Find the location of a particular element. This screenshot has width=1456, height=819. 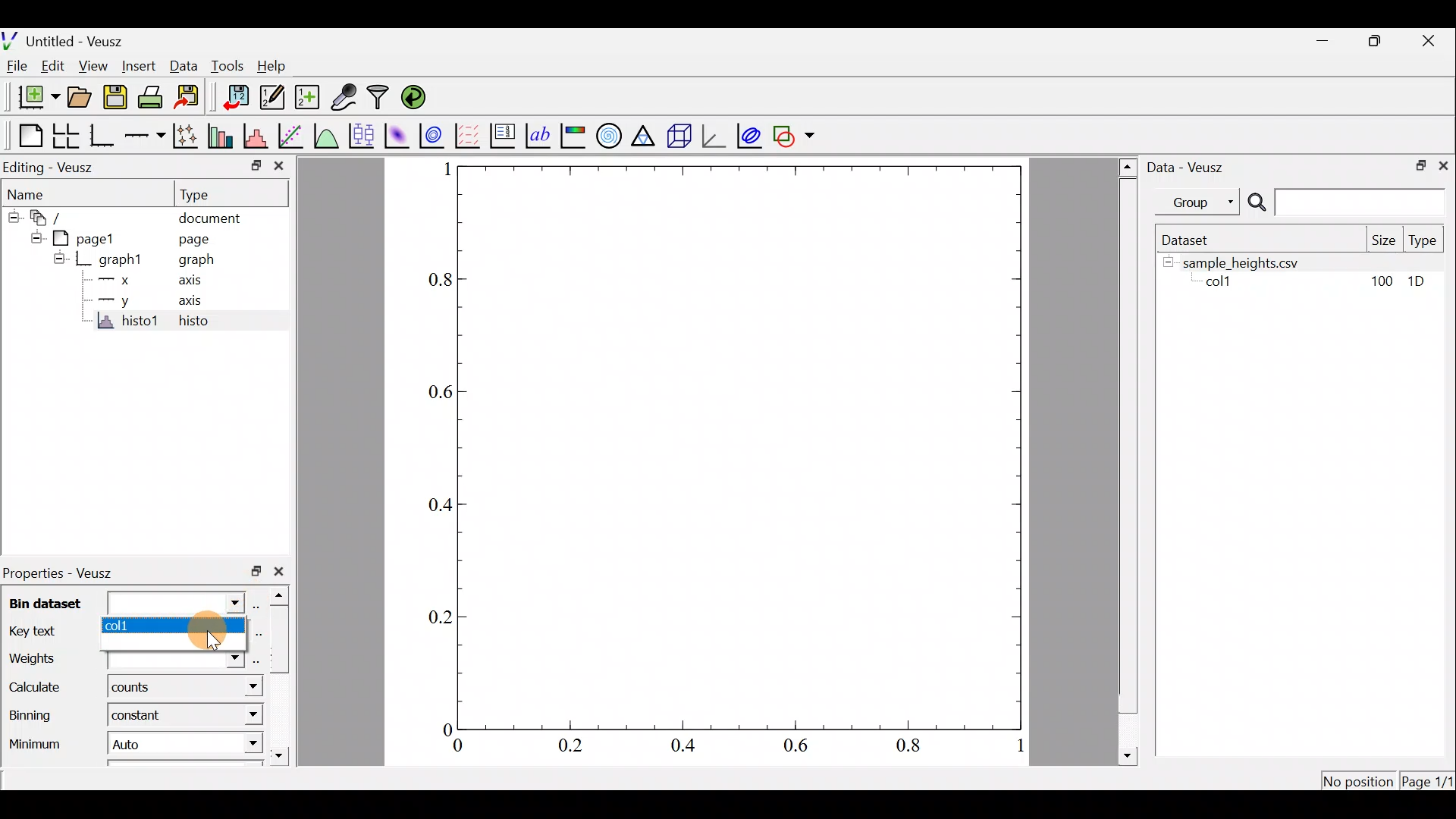

close is located at coordinates (1429, 44).